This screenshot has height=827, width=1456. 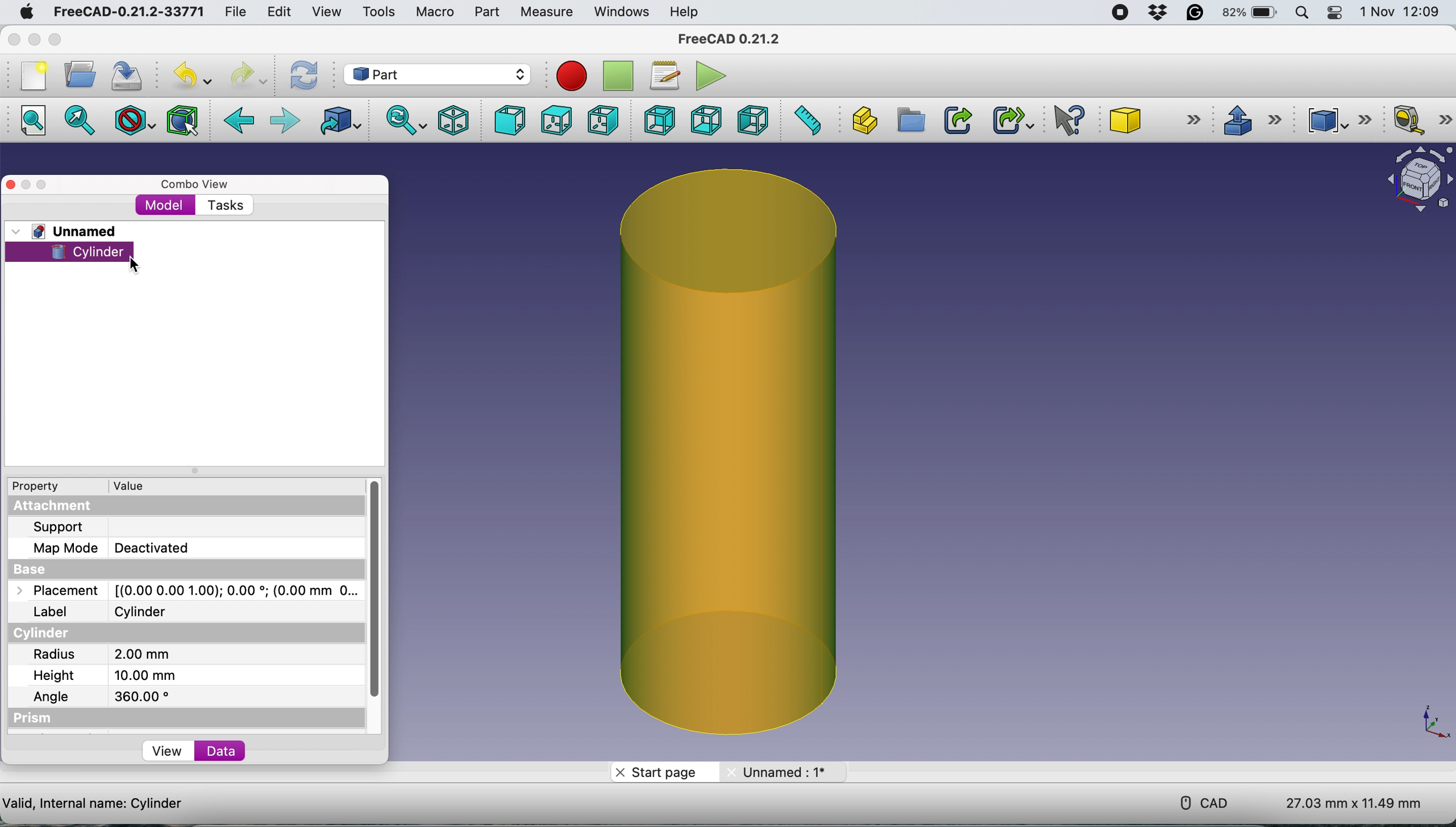 What do you see at coordinates (343, 122) in the screenshot?
I see `go to linked object` at bounding box center [343, 122].